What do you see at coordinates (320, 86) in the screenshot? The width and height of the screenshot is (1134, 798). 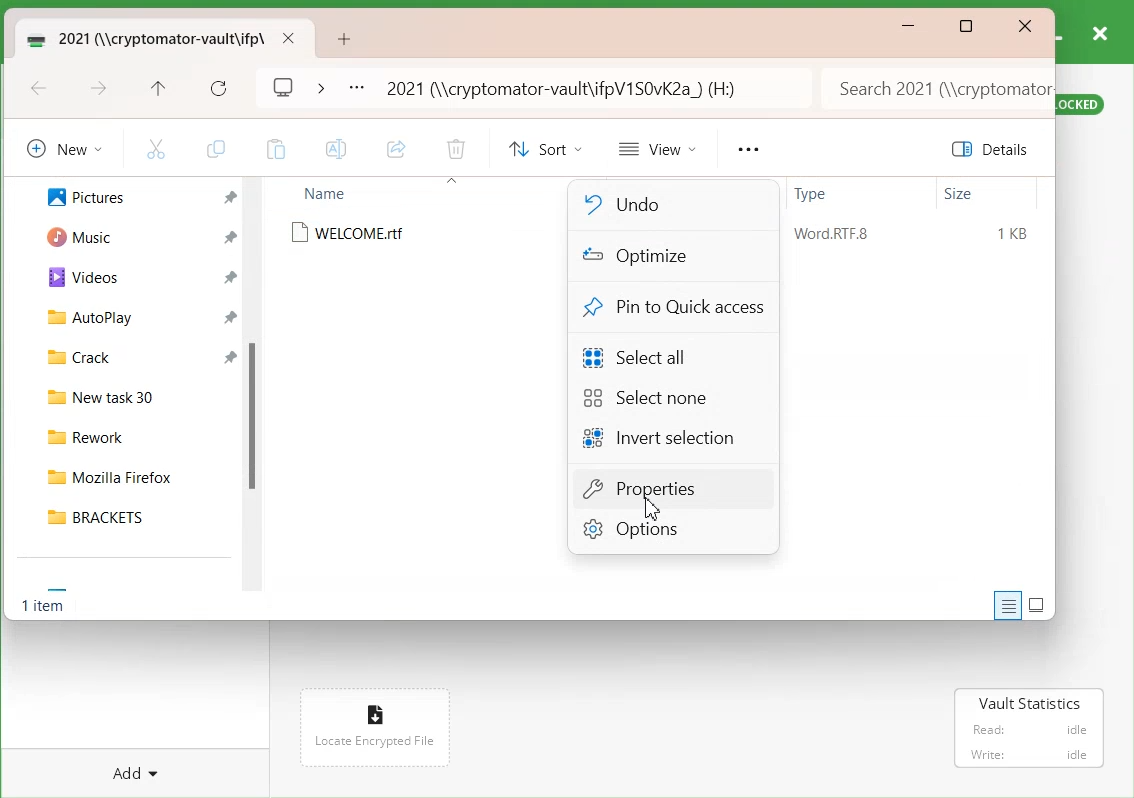 I see `Drop down box` at bounding box center [320, 86].